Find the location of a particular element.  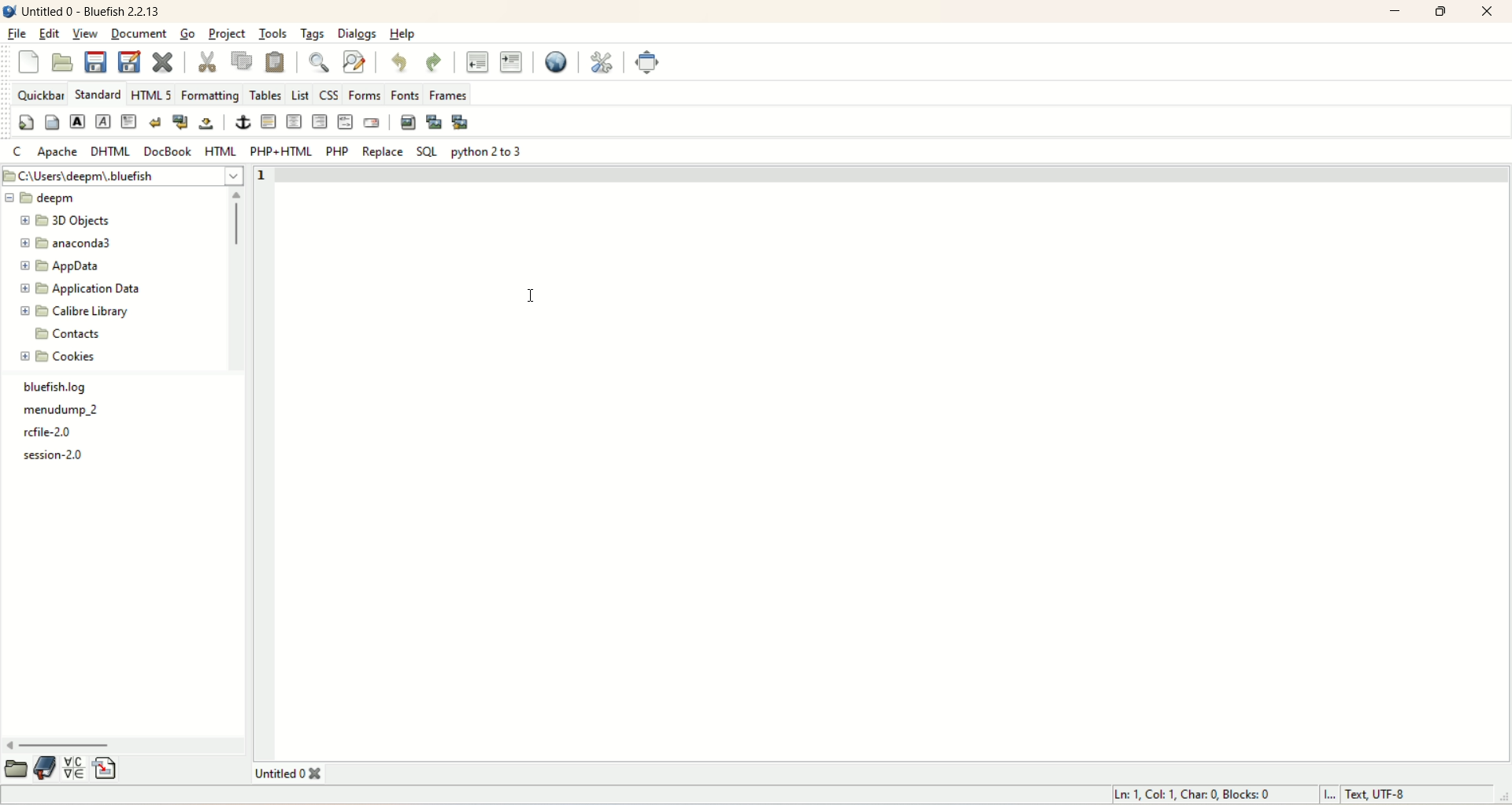

formatting is located at coordinates (208, 96).